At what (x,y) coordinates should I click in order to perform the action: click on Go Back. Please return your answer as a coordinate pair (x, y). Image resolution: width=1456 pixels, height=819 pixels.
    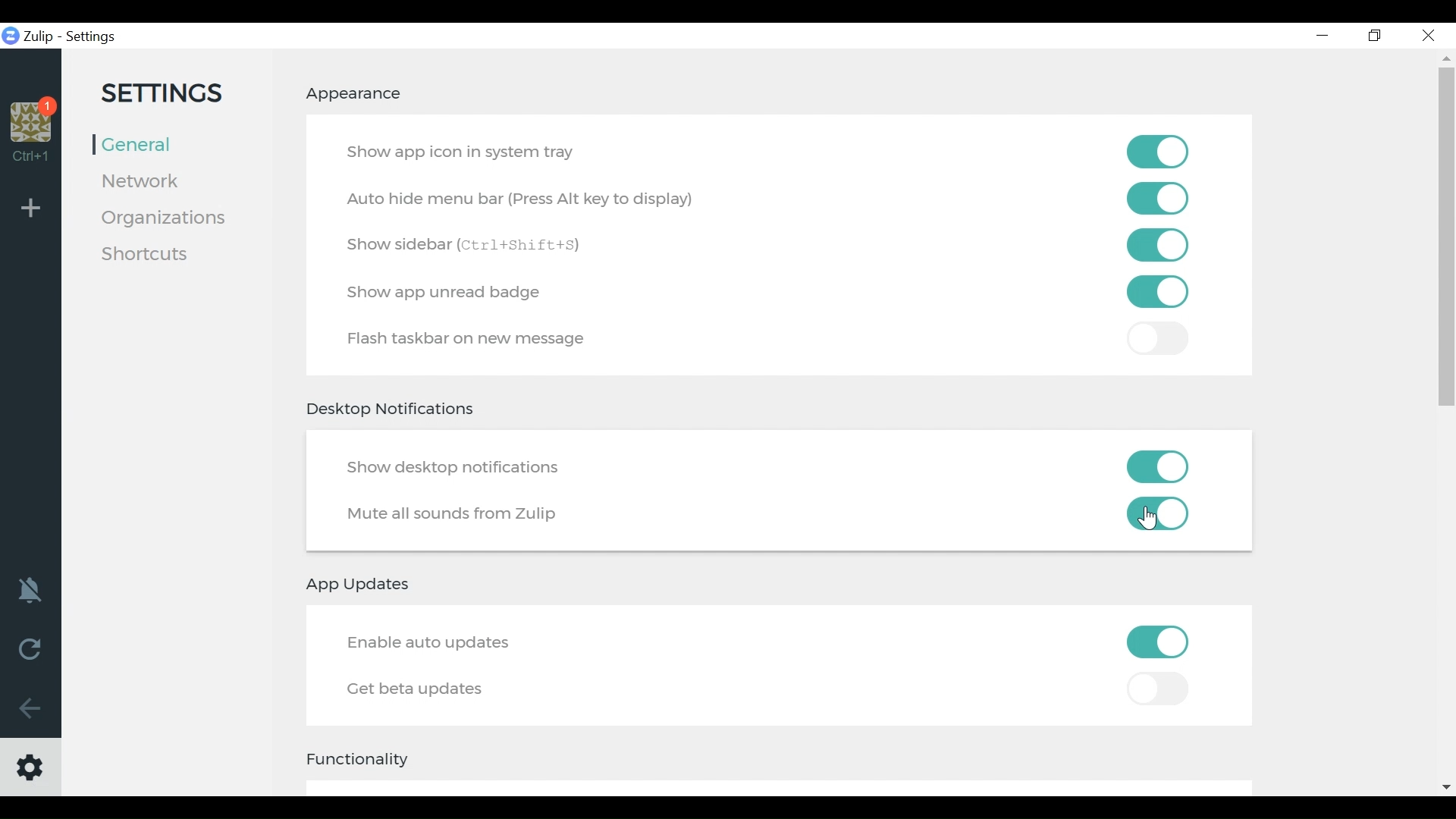
    Looking at the image, I should click on (30, 709).